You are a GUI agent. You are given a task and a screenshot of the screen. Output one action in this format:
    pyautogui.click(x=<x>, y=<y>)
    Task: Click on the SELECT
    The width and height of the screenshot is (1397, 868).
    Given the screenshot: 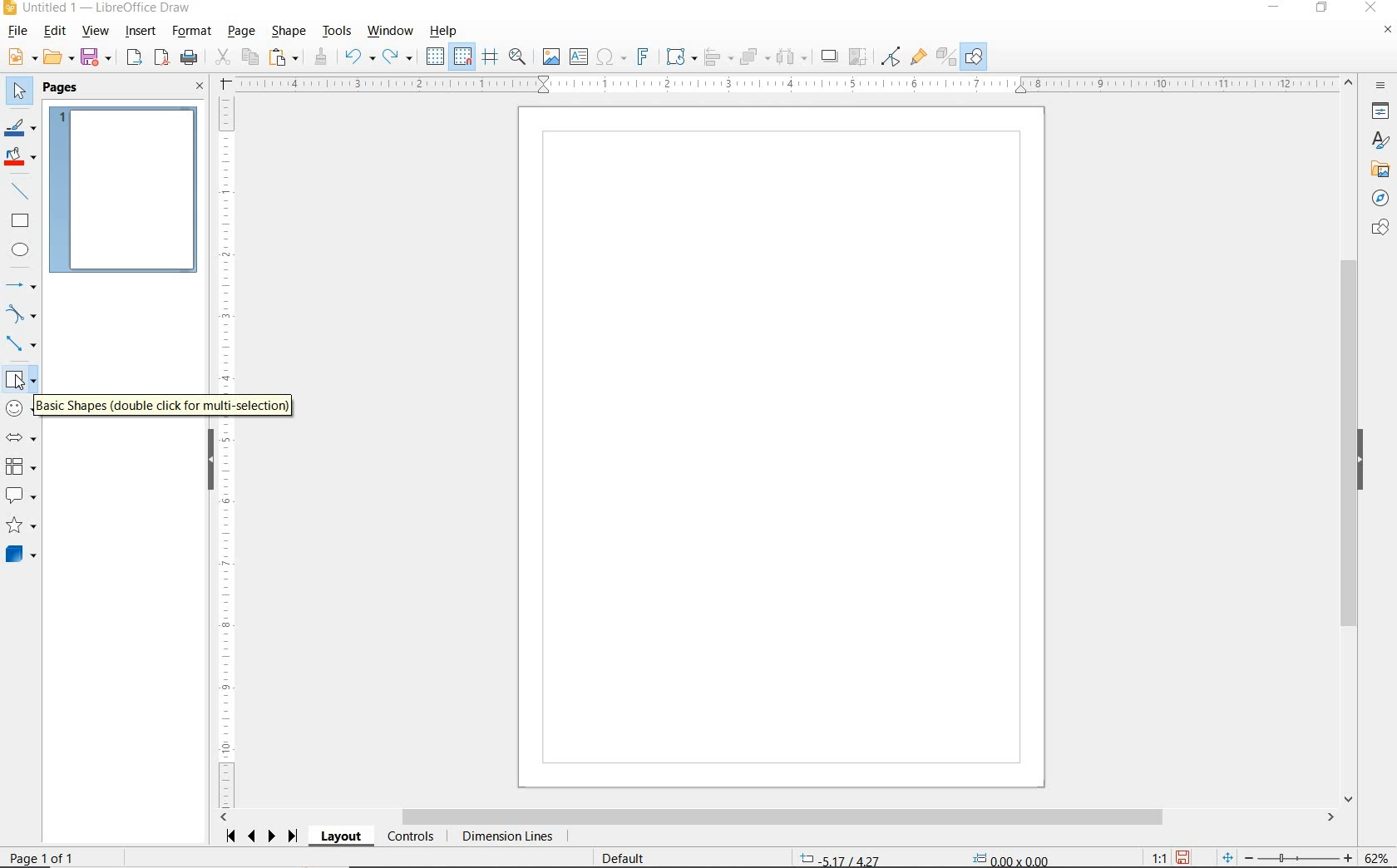 What is the action you would take?
    pyautogui.click(x=17, y=94)
    